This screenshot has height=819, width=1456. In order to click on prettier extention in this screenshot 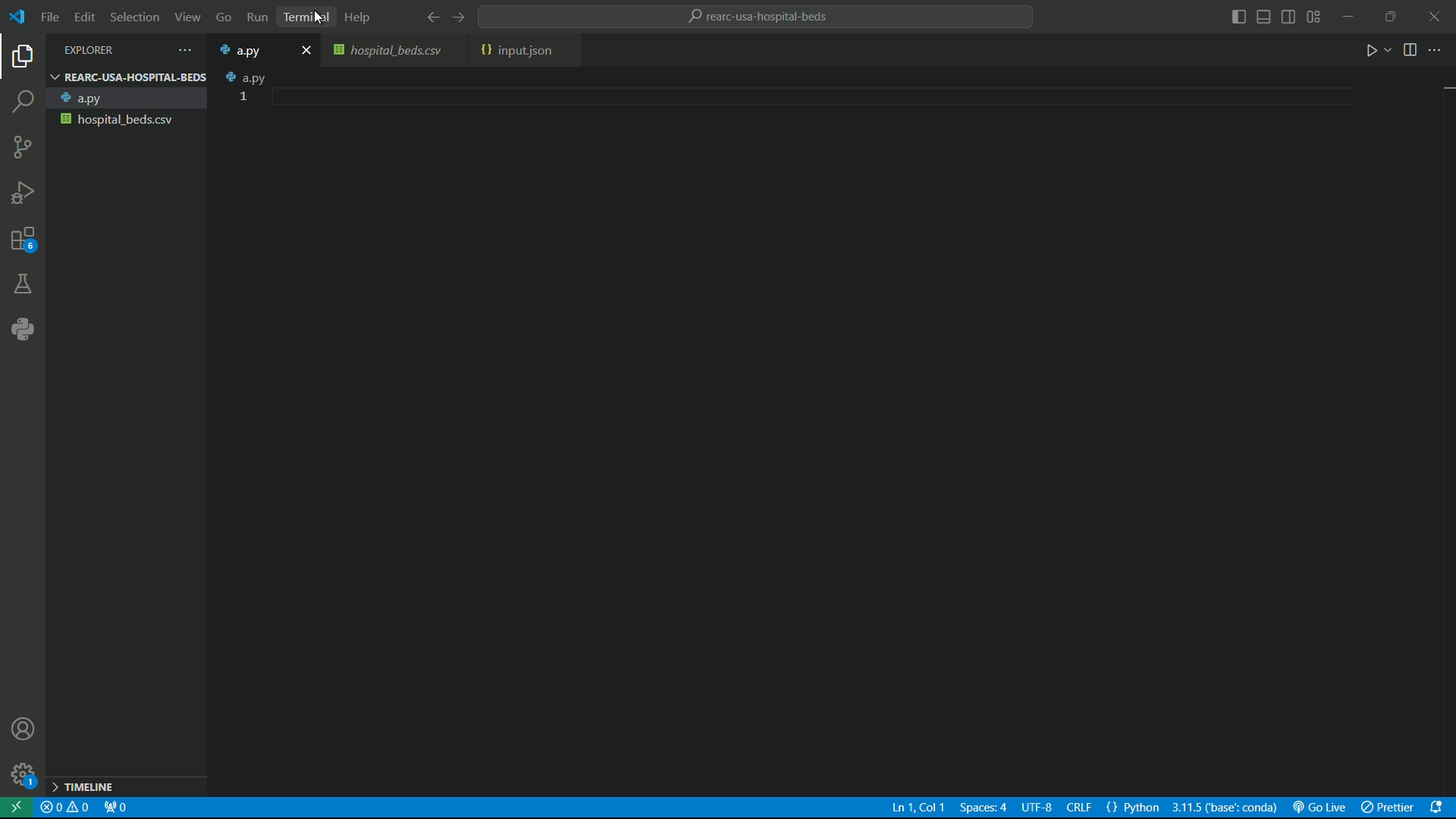, I will do `click(1389, 808)`.